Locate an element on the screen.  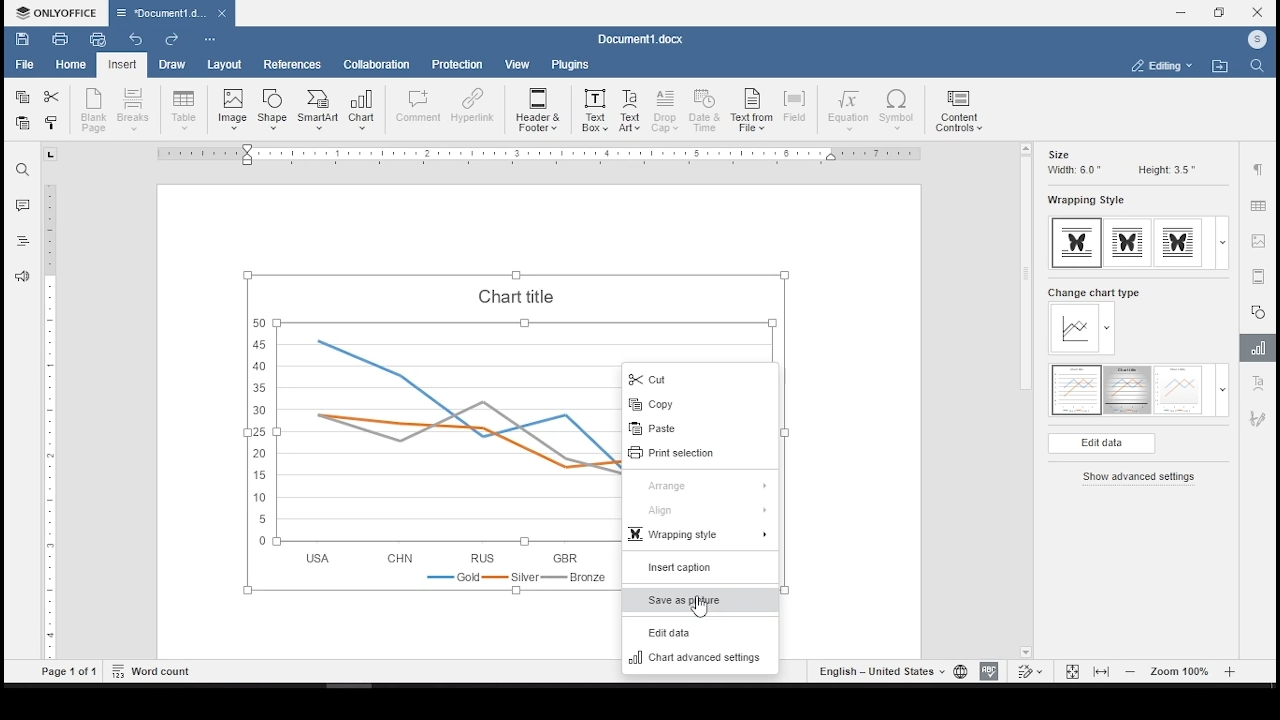
shape settings is located at coordinates (1259, 311).